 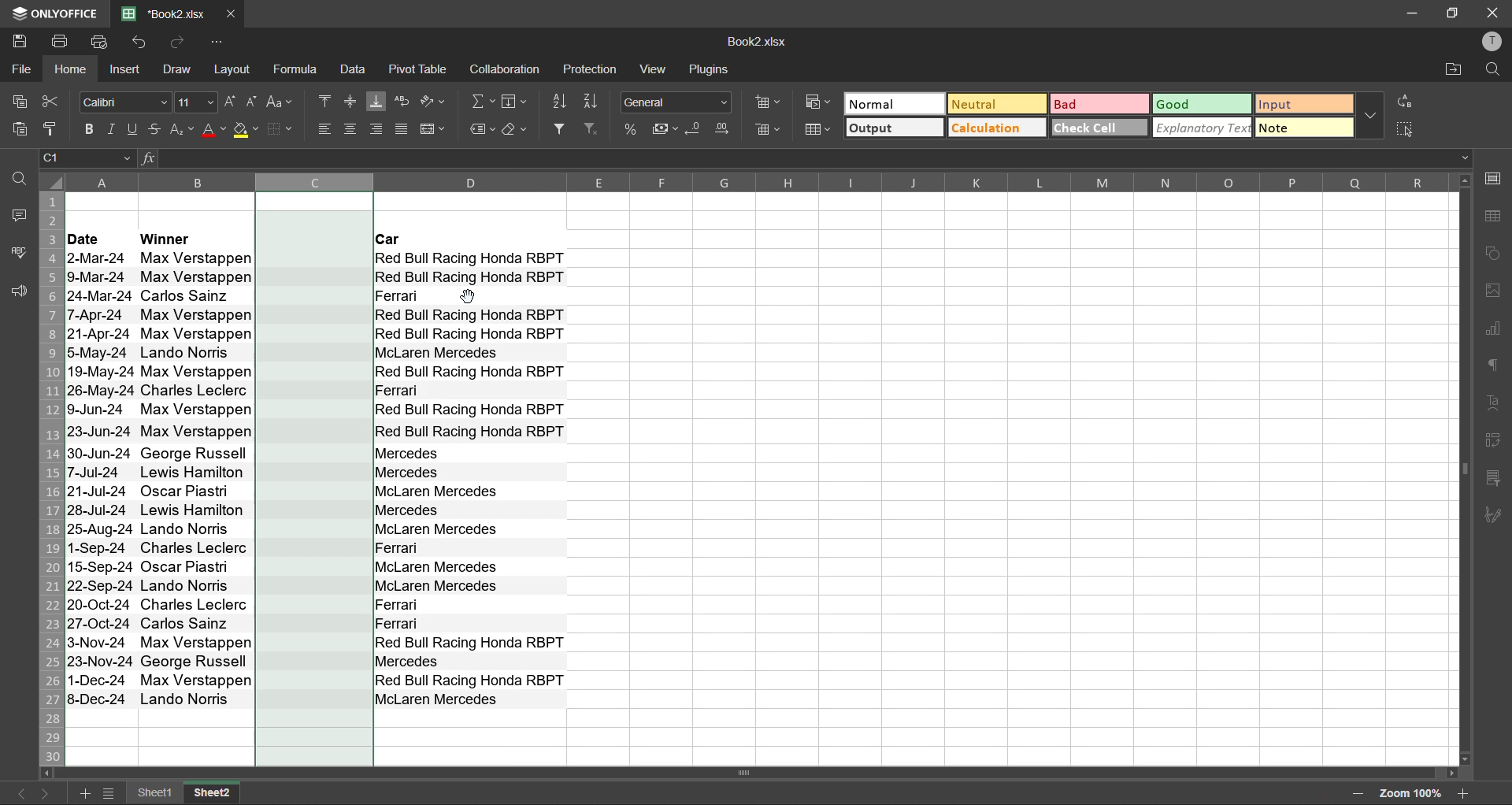 What do you see at coordinates (350, 99) in the screenshot?
I see `align middle` at bounding box center [350, 99].